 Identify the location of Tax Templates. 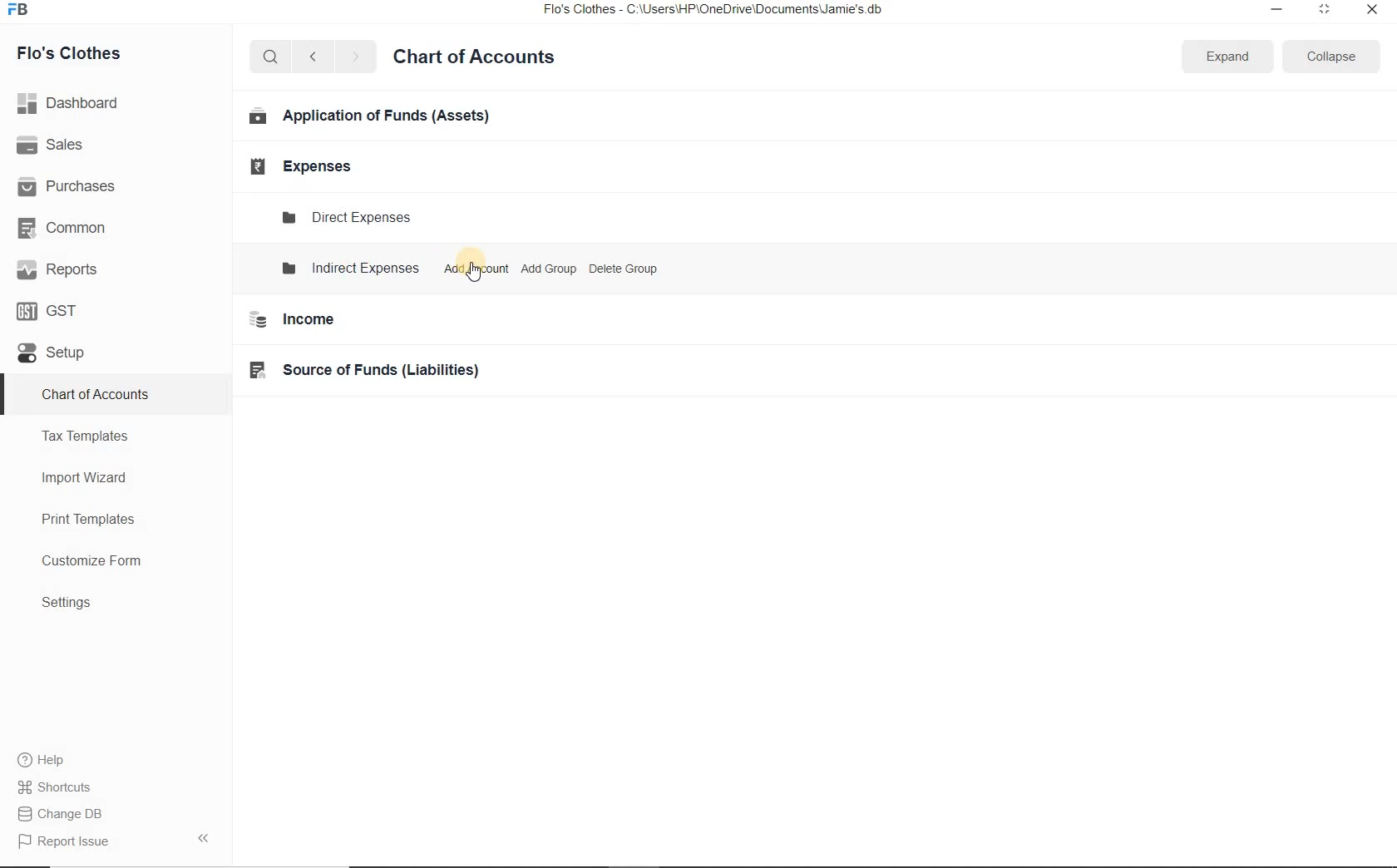
(86, 436).